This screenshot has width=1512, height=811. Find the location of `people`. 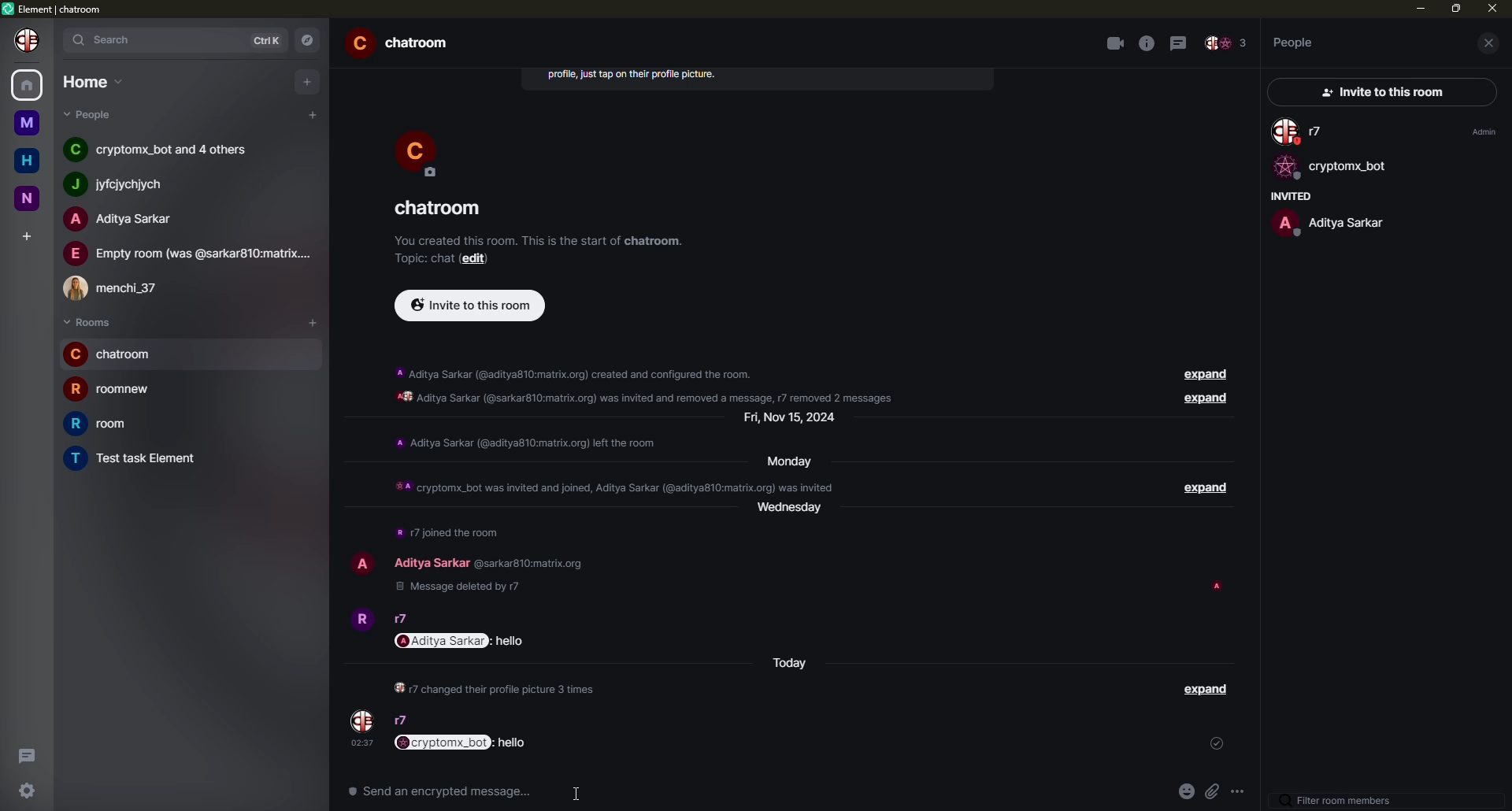

people is located at coordinates (1226, 44).